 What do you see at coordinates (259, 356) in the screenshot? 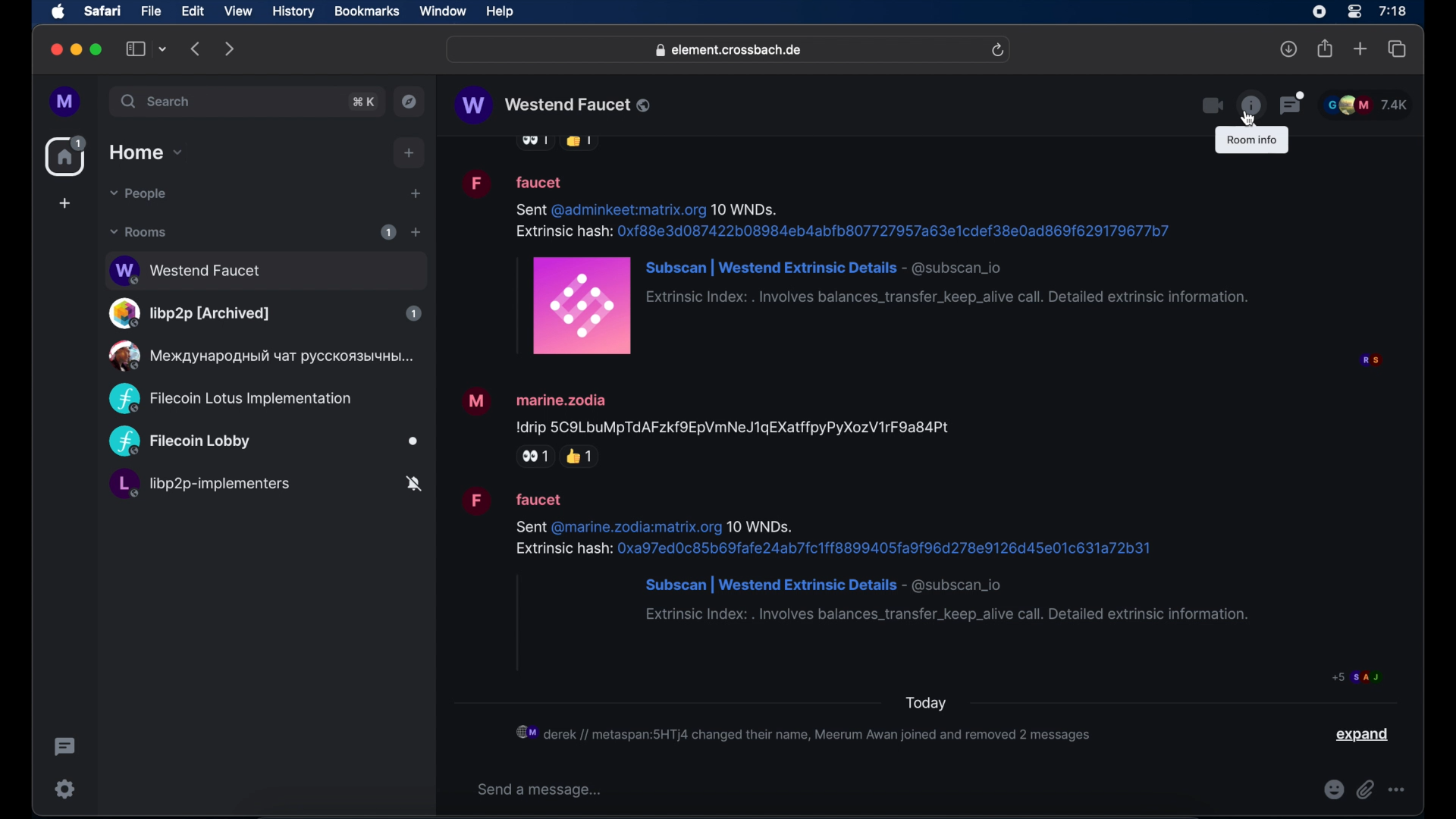
I see `public room` at bounding box center [259, 356].